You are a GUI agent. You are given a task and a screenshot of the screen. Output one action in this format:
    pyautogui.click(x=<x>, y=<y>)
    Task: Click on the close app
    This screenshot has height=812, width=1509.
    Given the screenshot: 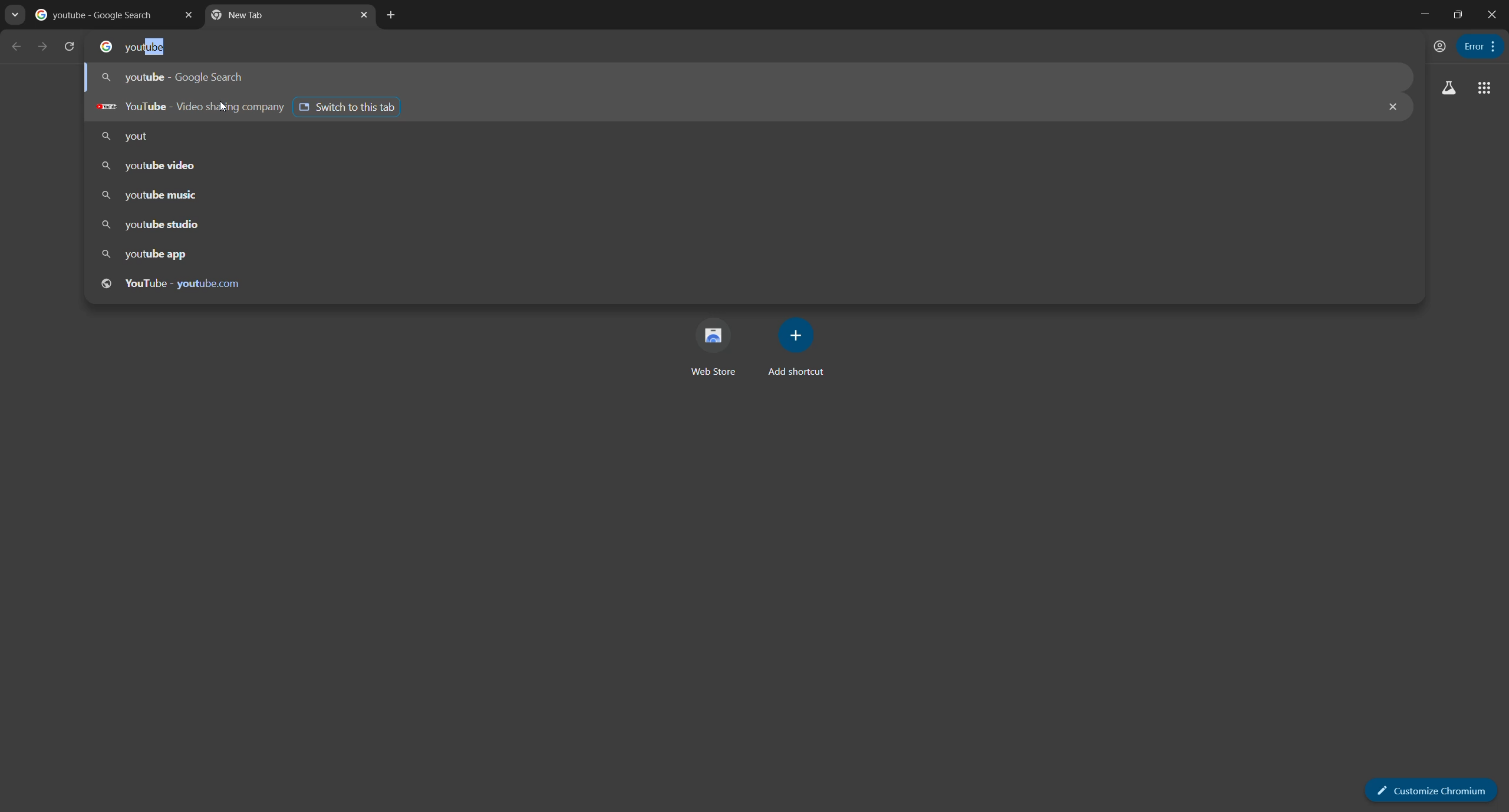 What is the action you would take?
    pyautogui.click(x=1493, y=16)
    